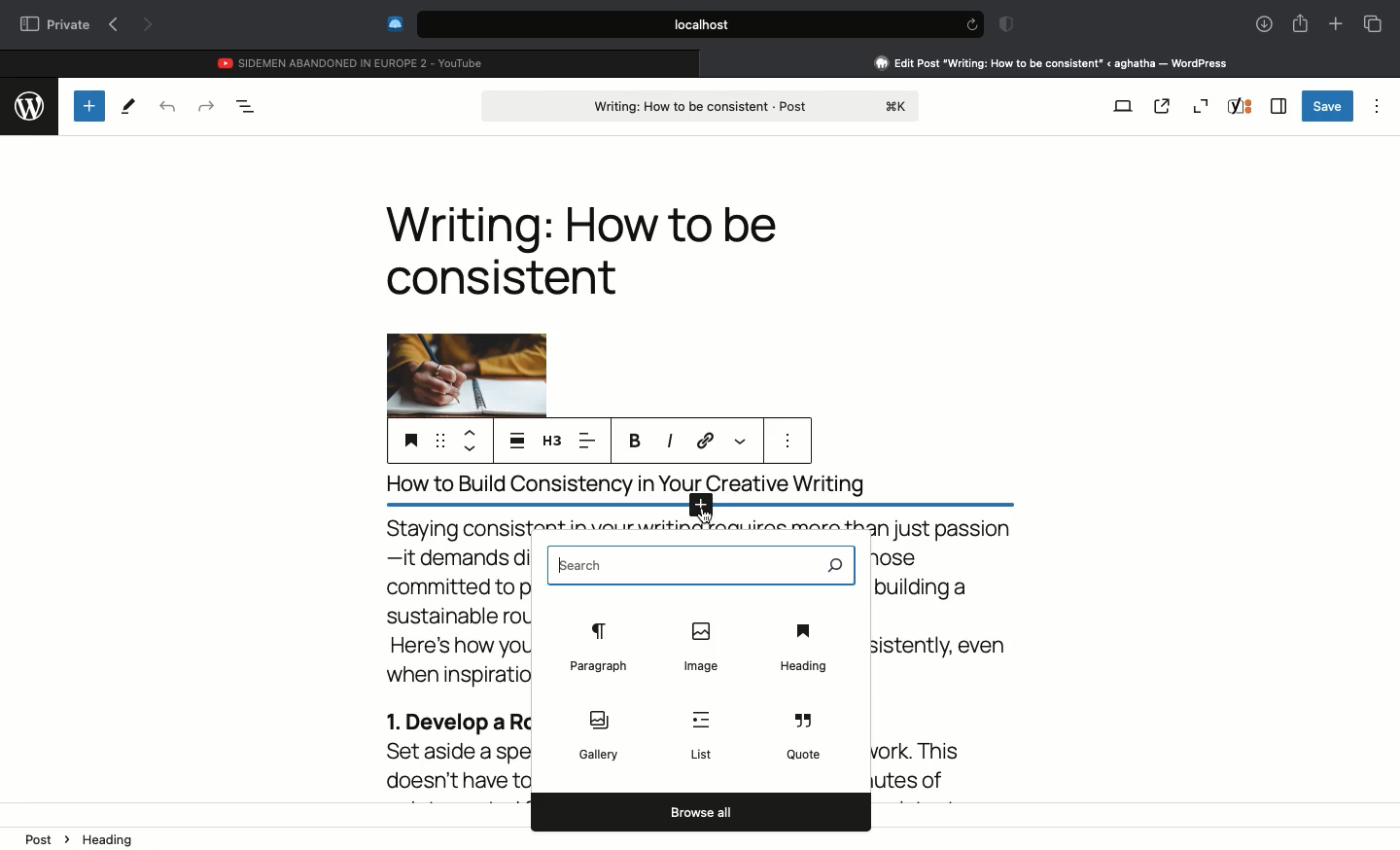 The height and width of the screenshot is (850, 1400). What do you see at coordinates (1261, 25) in the screenshot?
I see `Downlaods` at bounding box center [1261, 25].